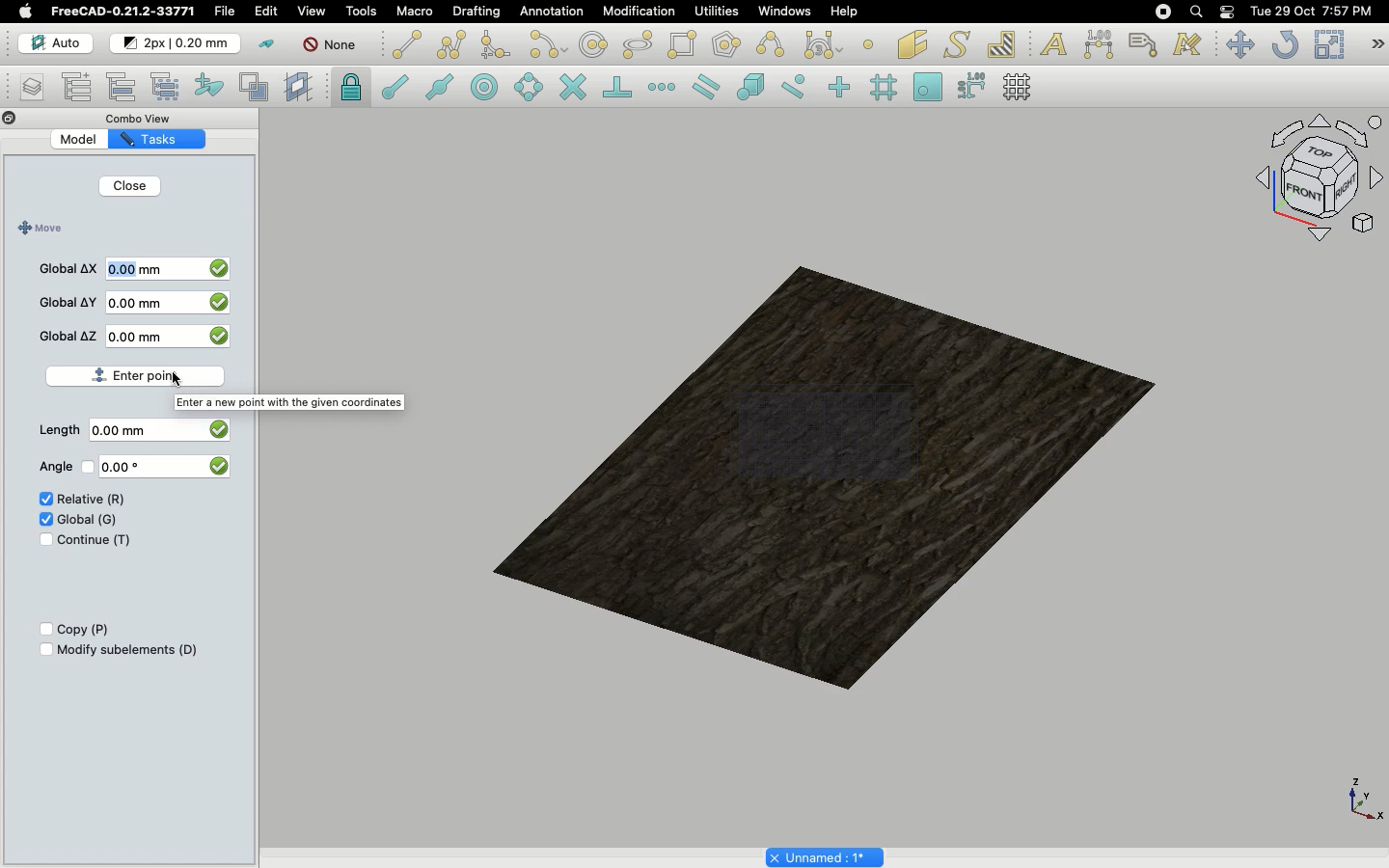  I want to click on lock, so click(352, 90).